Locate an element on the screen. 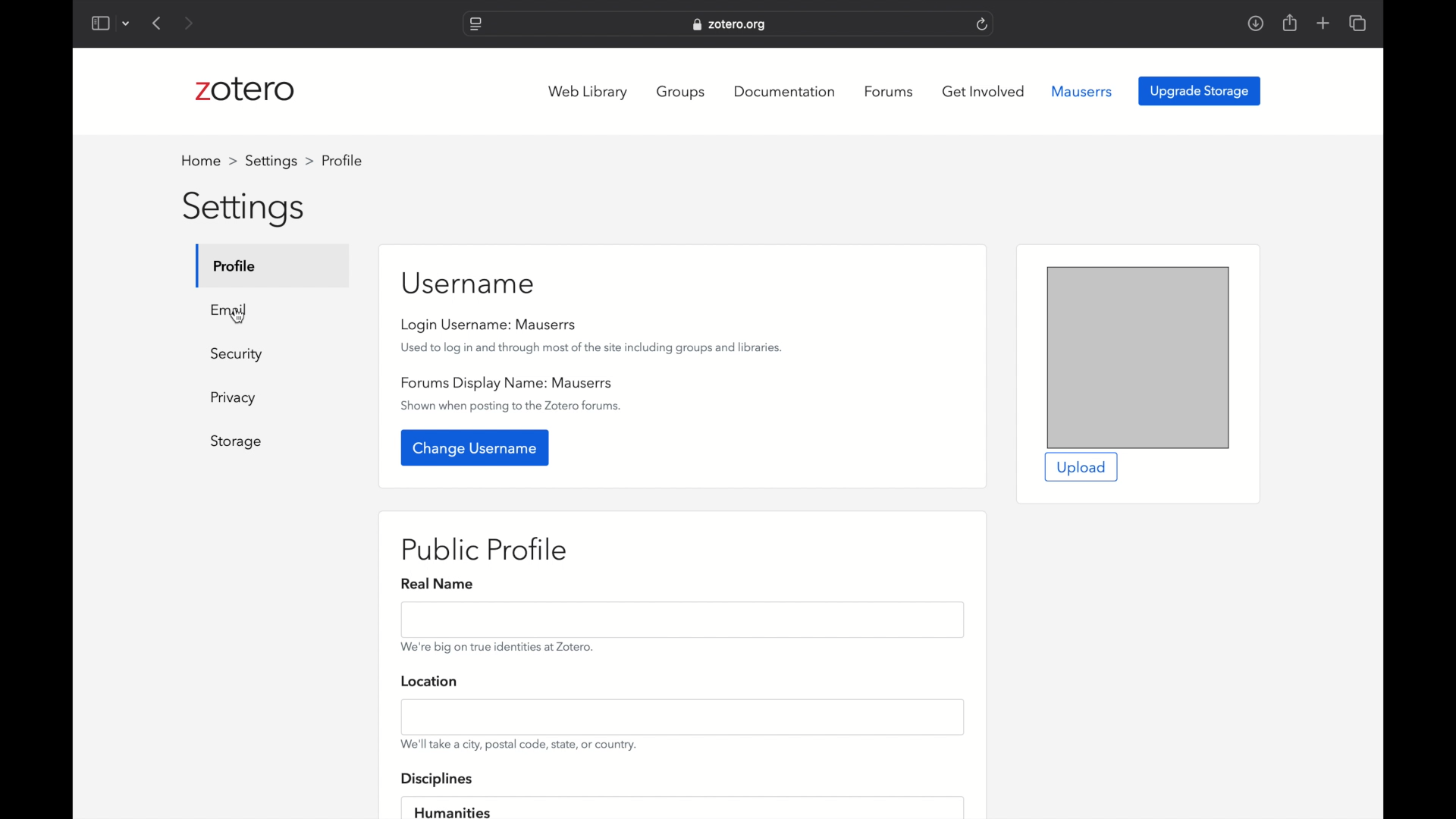 This screenshot has width=1456, height=819. preview is located at coordinates (1138, 357).